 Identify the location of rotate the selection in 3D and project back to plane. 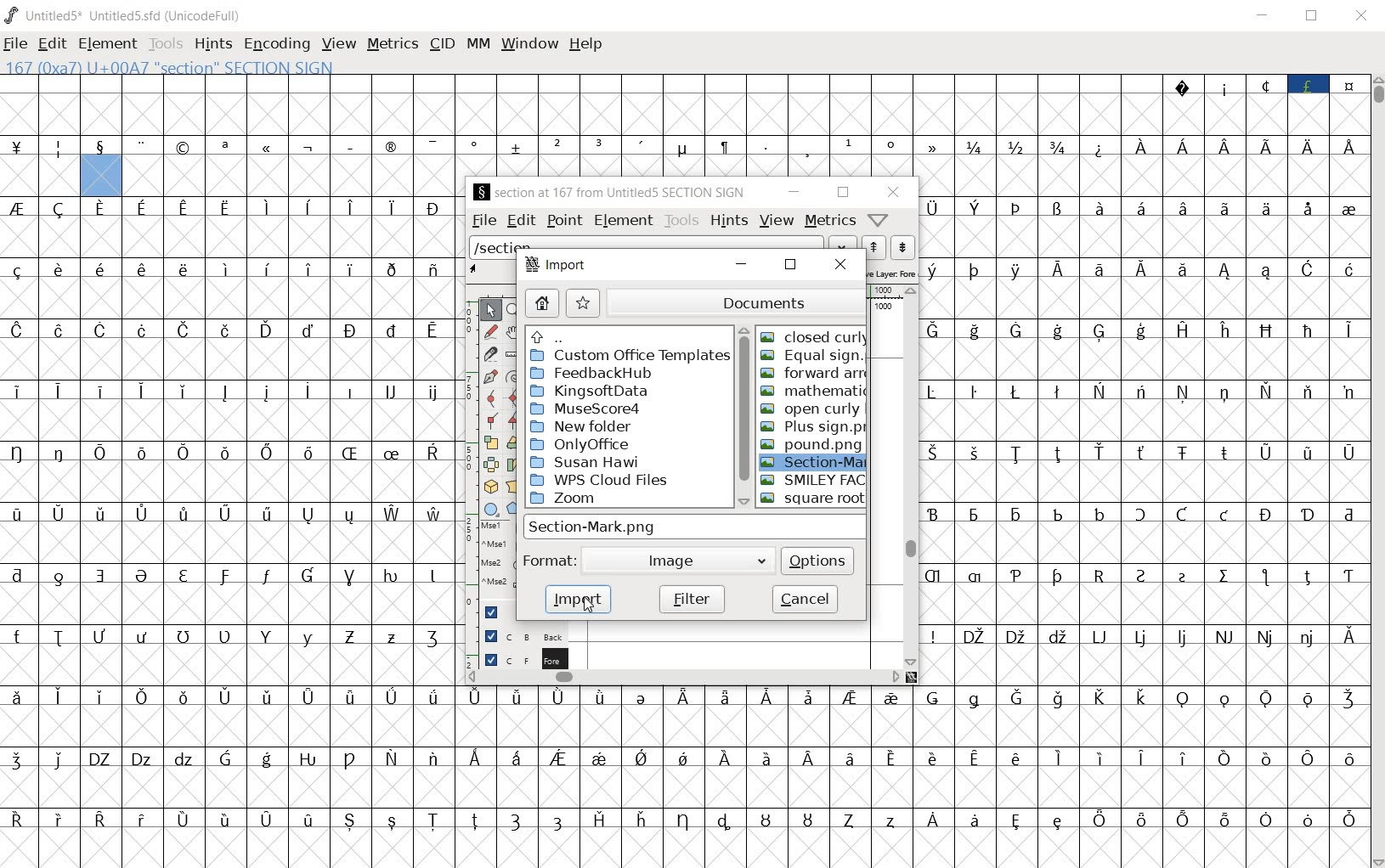
(490, 488).